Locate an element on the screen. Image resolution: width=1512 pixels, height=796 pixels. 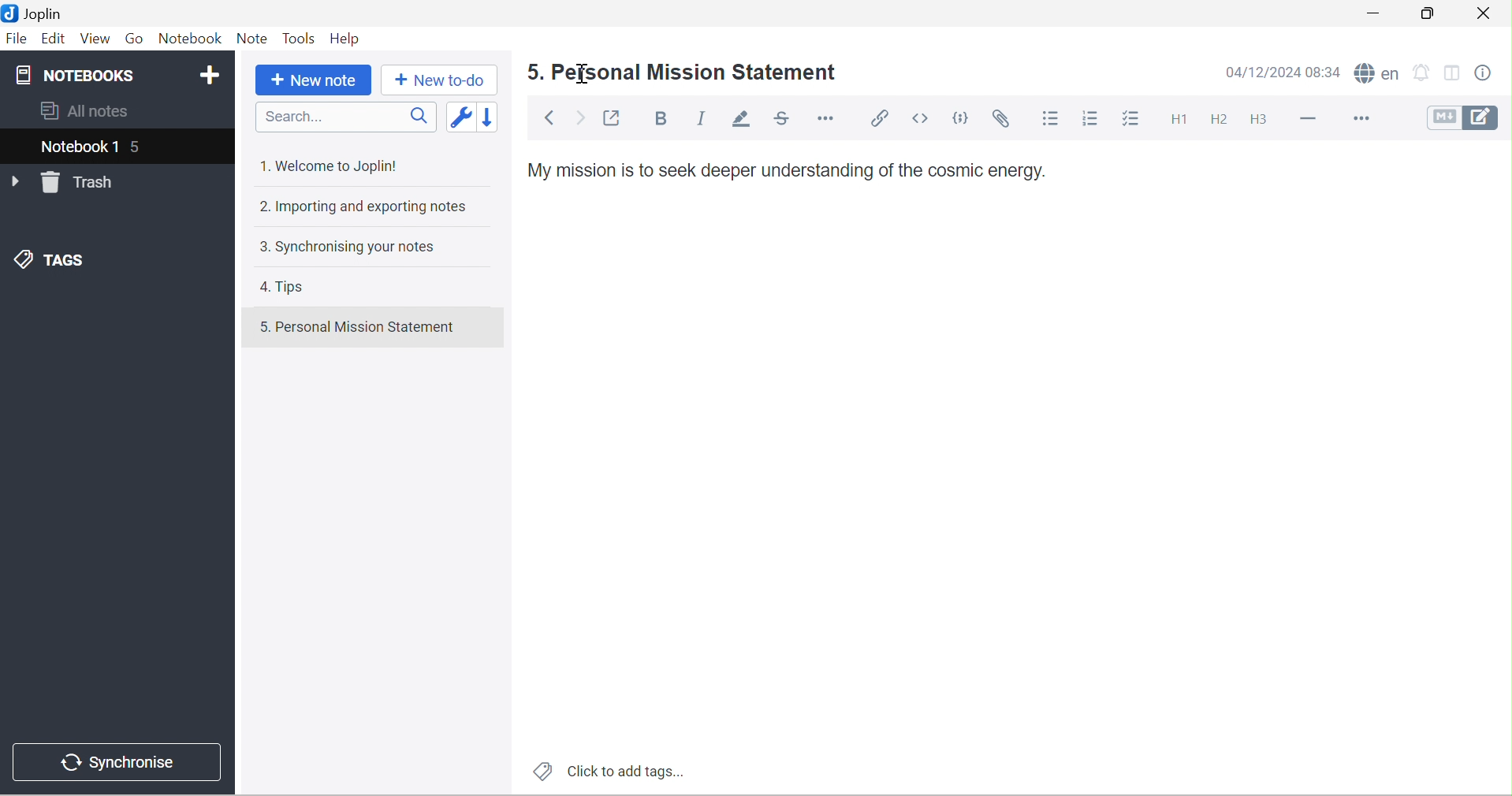
2. Importing and exporting notes is located at coordinates (367, 208).